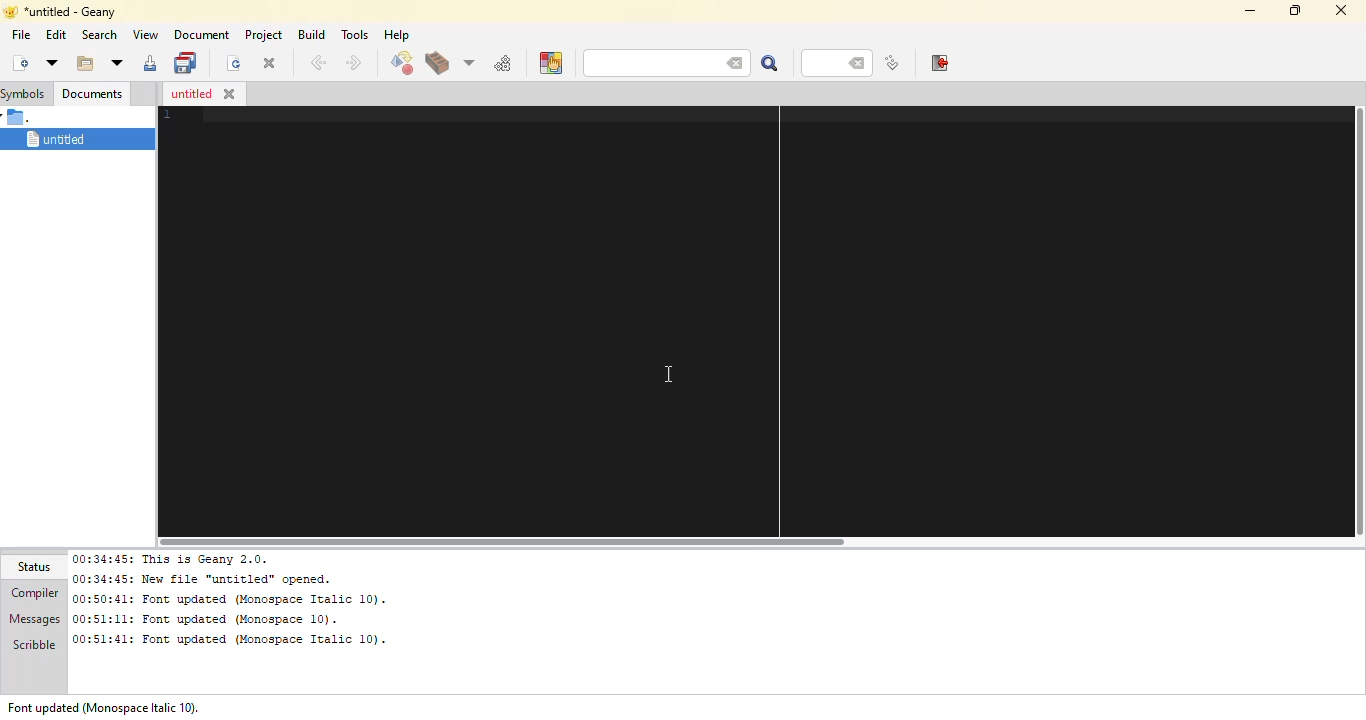 The image size is (1366, 720). Describe the element at coordinates (189, 94) in the screenshot. I see `untitled` at that location.